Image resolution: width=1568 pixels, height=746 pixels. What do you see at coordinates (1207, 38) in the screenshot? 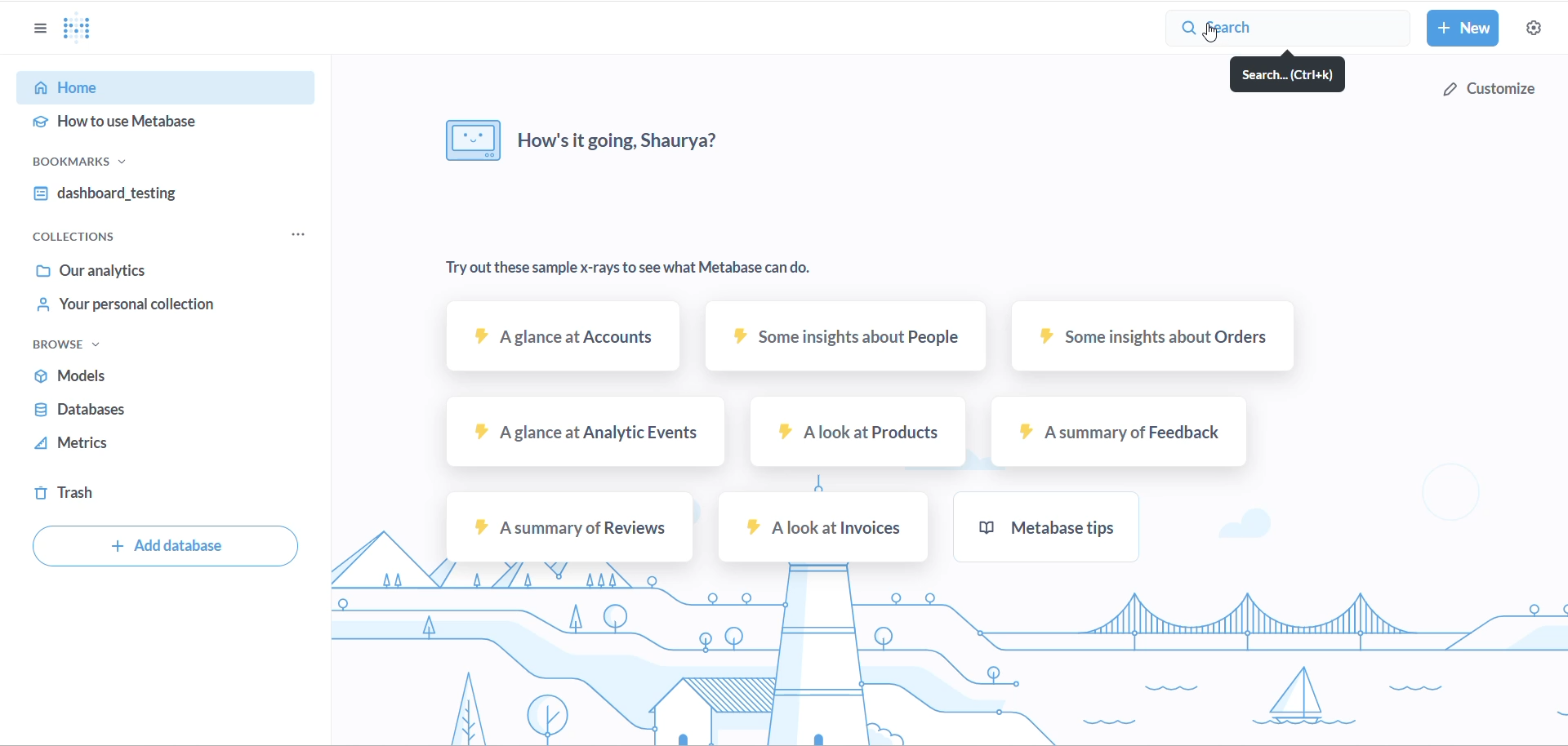
I see `cursor` at bounding box center [1207, 38].